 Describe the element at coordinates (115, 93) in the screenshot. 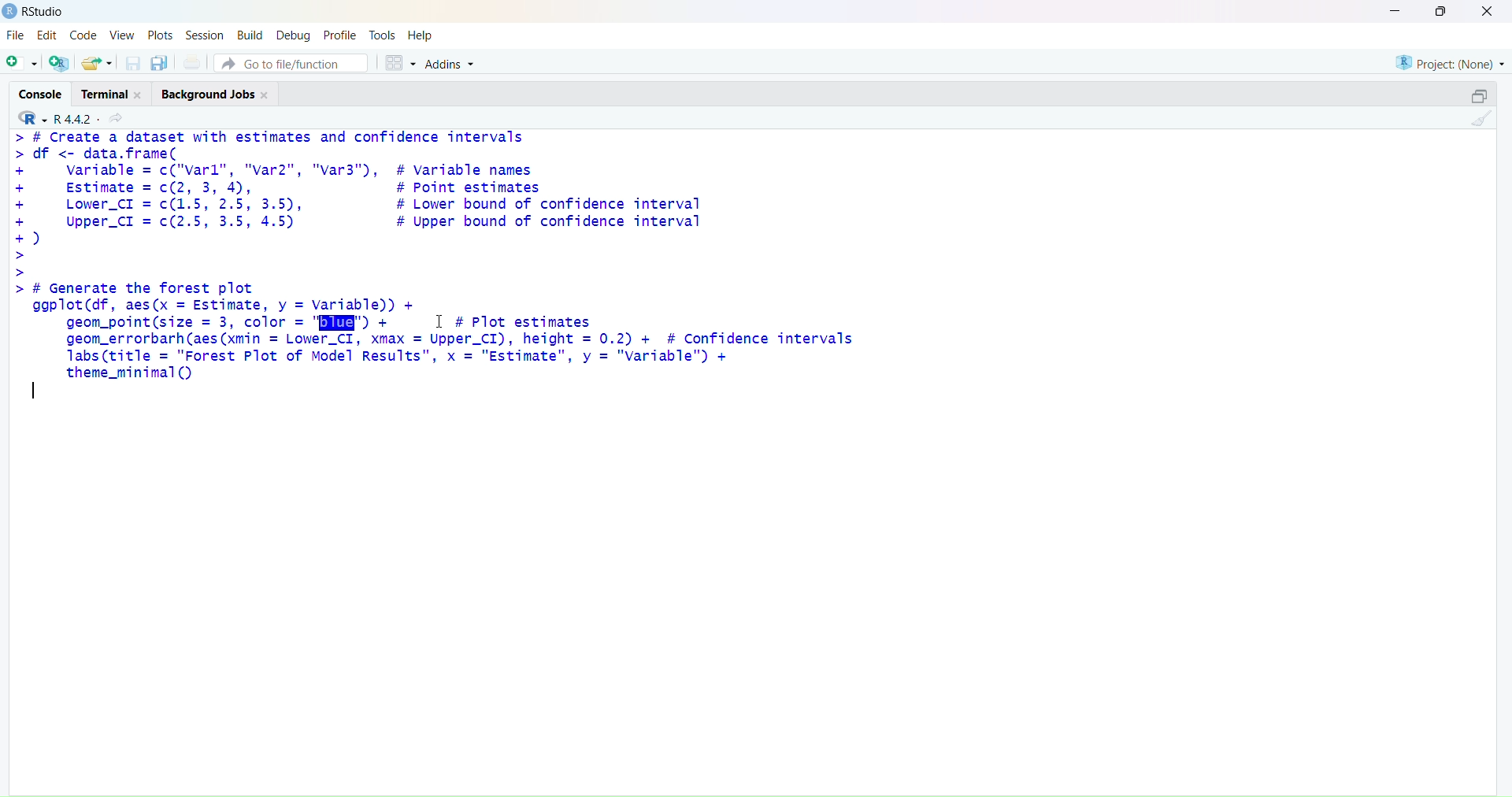

I see `Terminal` at that location.